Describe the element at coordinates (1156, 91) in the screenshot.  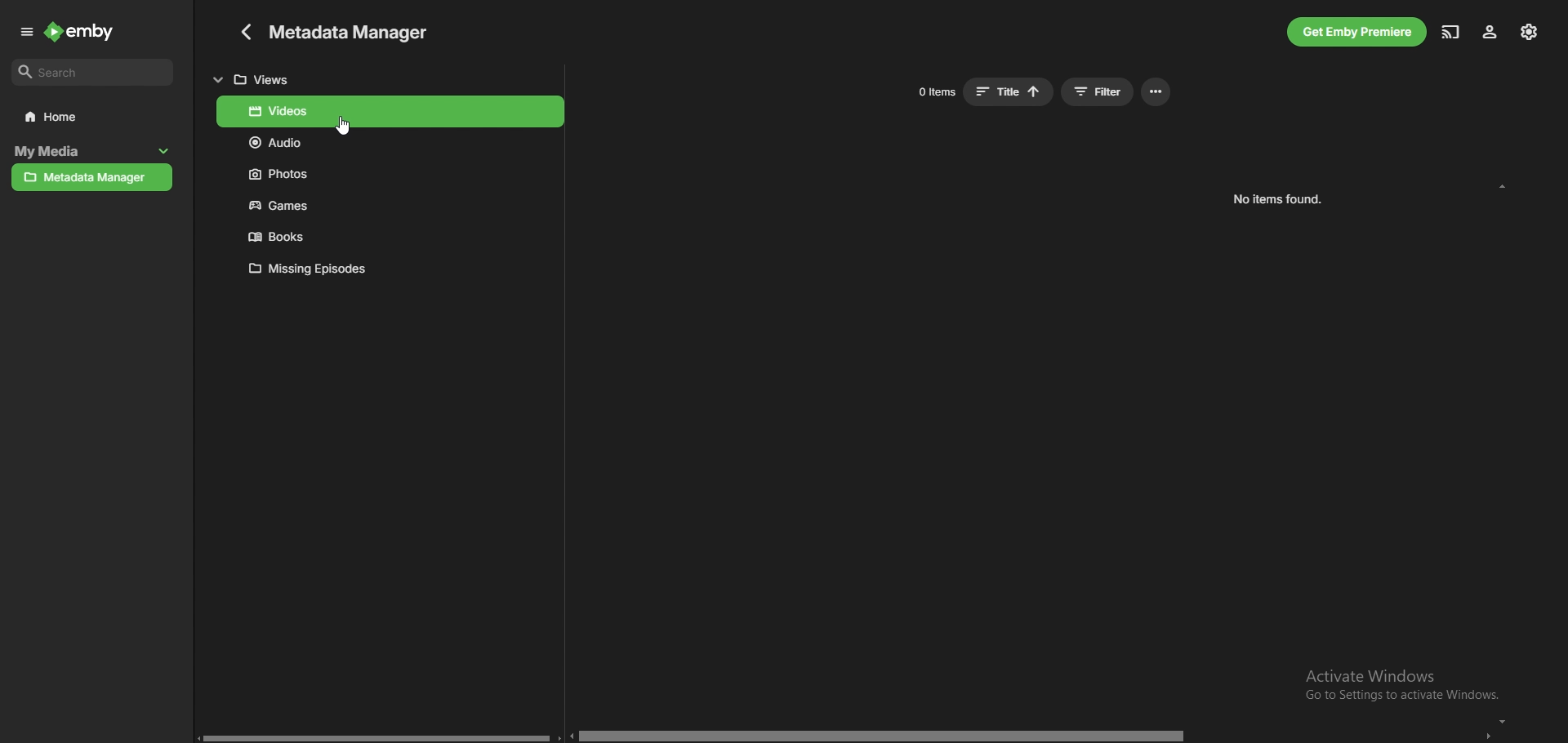
I see `options` at that location.